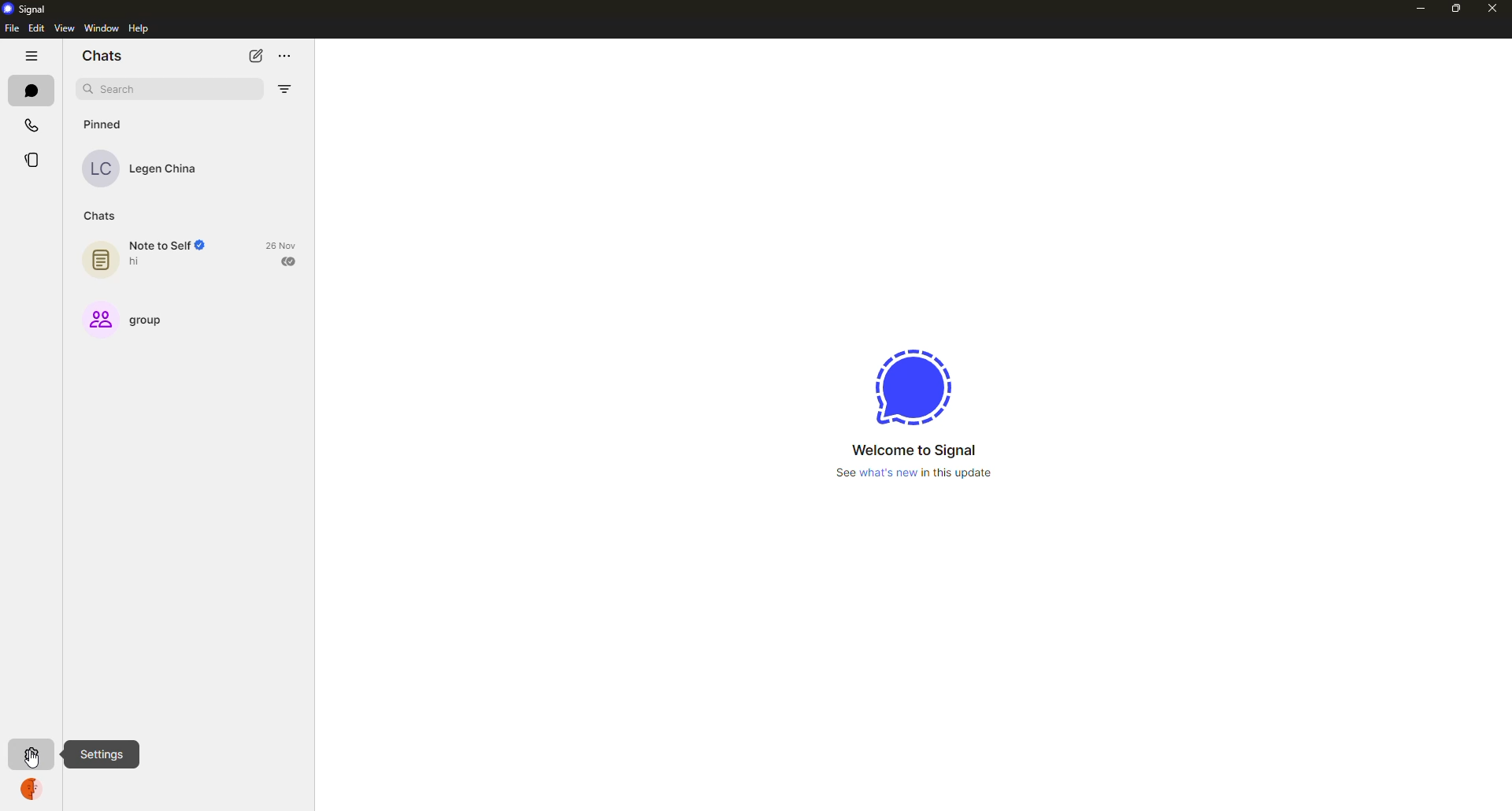 The width and height of the screenshot is (1512, 811). Describe the element at coordinates (36, 160) in the screenshot. I see `stories` at that location.